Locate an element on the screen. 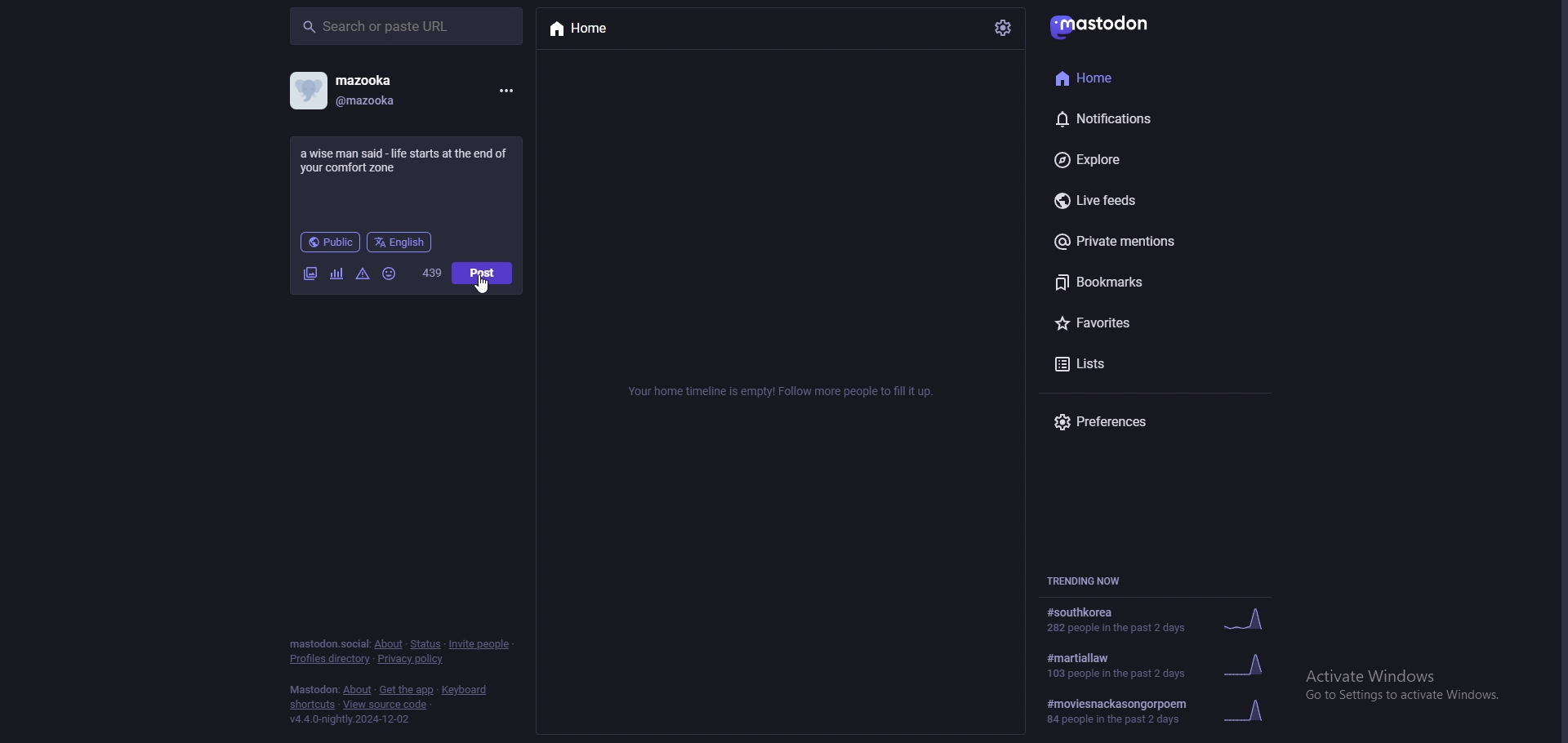  version is located at coordinates (350, 720).